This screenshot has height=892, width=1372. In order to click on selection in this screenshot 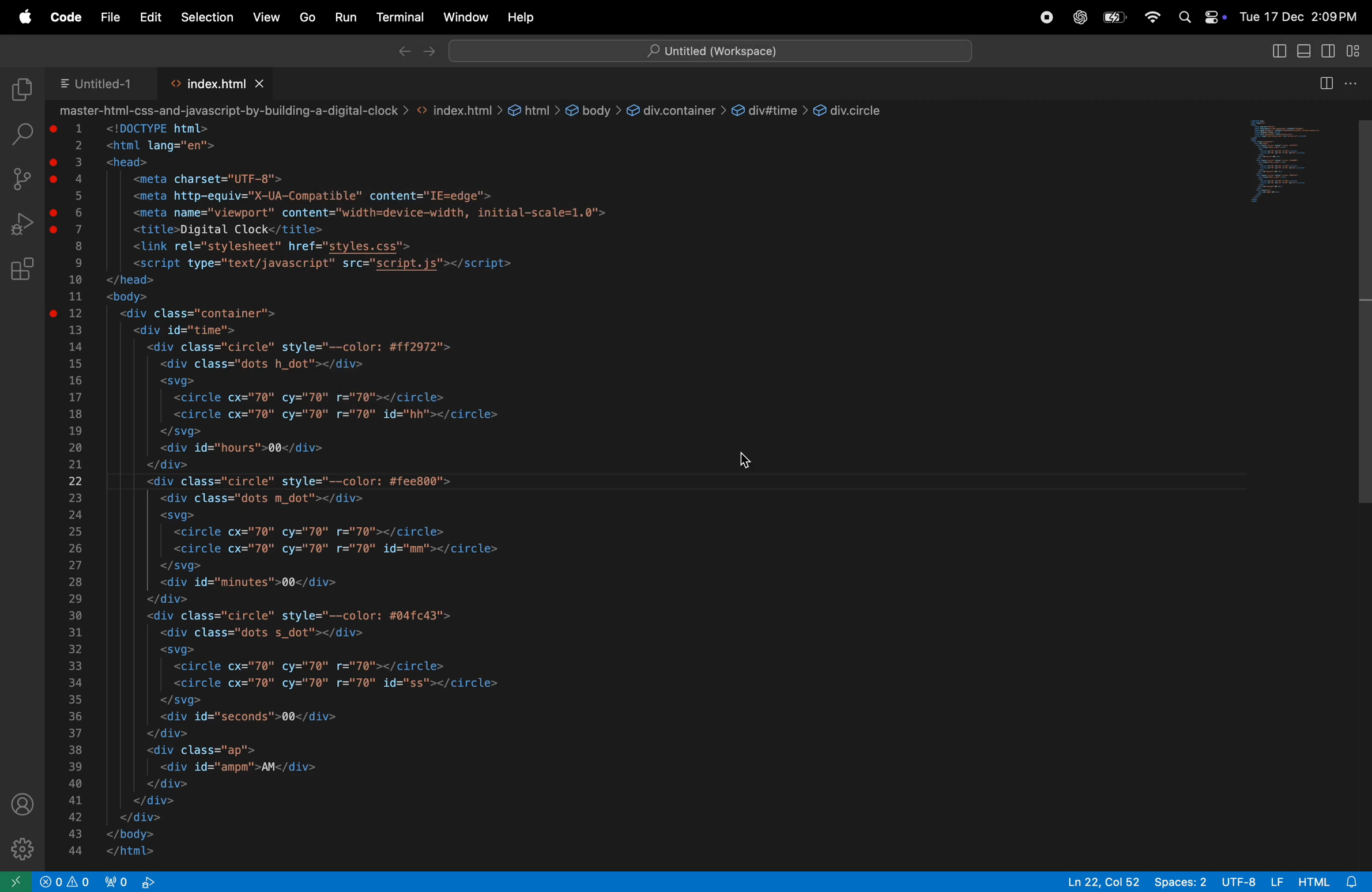, I will do `click(208, 18)`.